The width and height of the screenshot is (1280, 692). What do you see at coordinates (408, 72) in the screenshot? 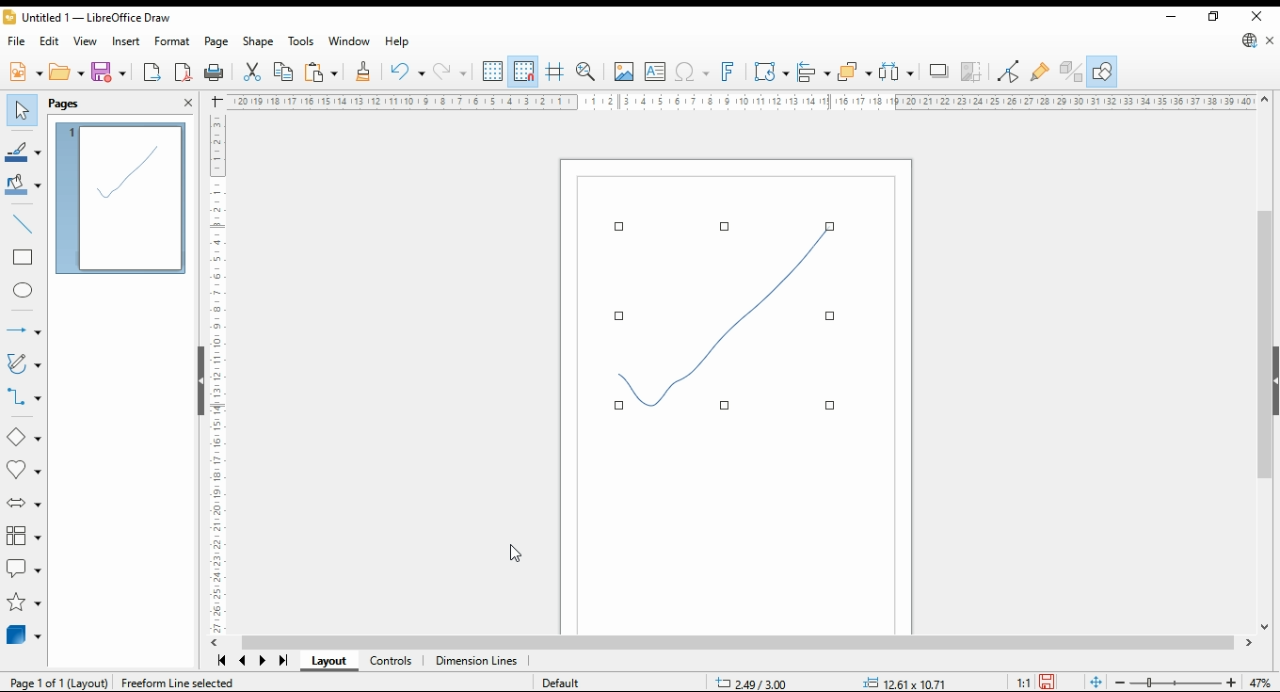
I see `undo` at bounding box center [408, 72].